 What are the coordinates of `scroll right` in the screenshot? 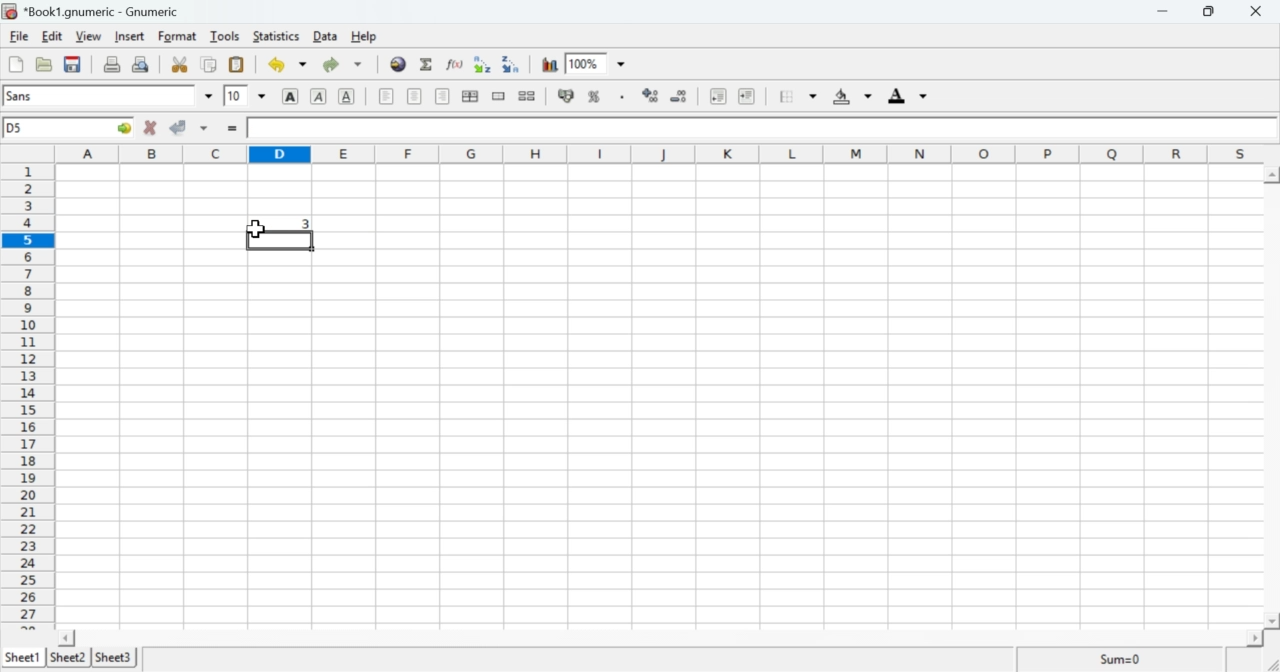 It's located at (1252, 638).